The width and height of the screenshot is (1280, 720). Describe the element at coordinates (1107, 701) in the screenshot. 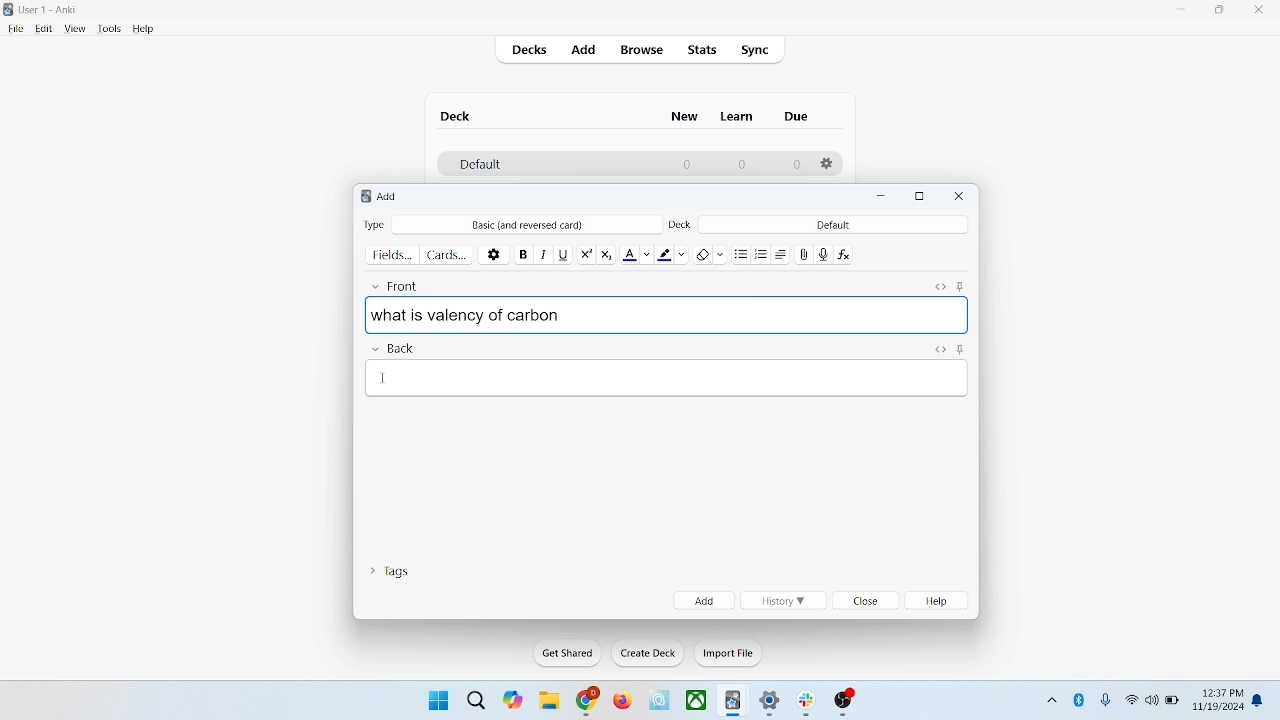

I see `microphone` at that location.